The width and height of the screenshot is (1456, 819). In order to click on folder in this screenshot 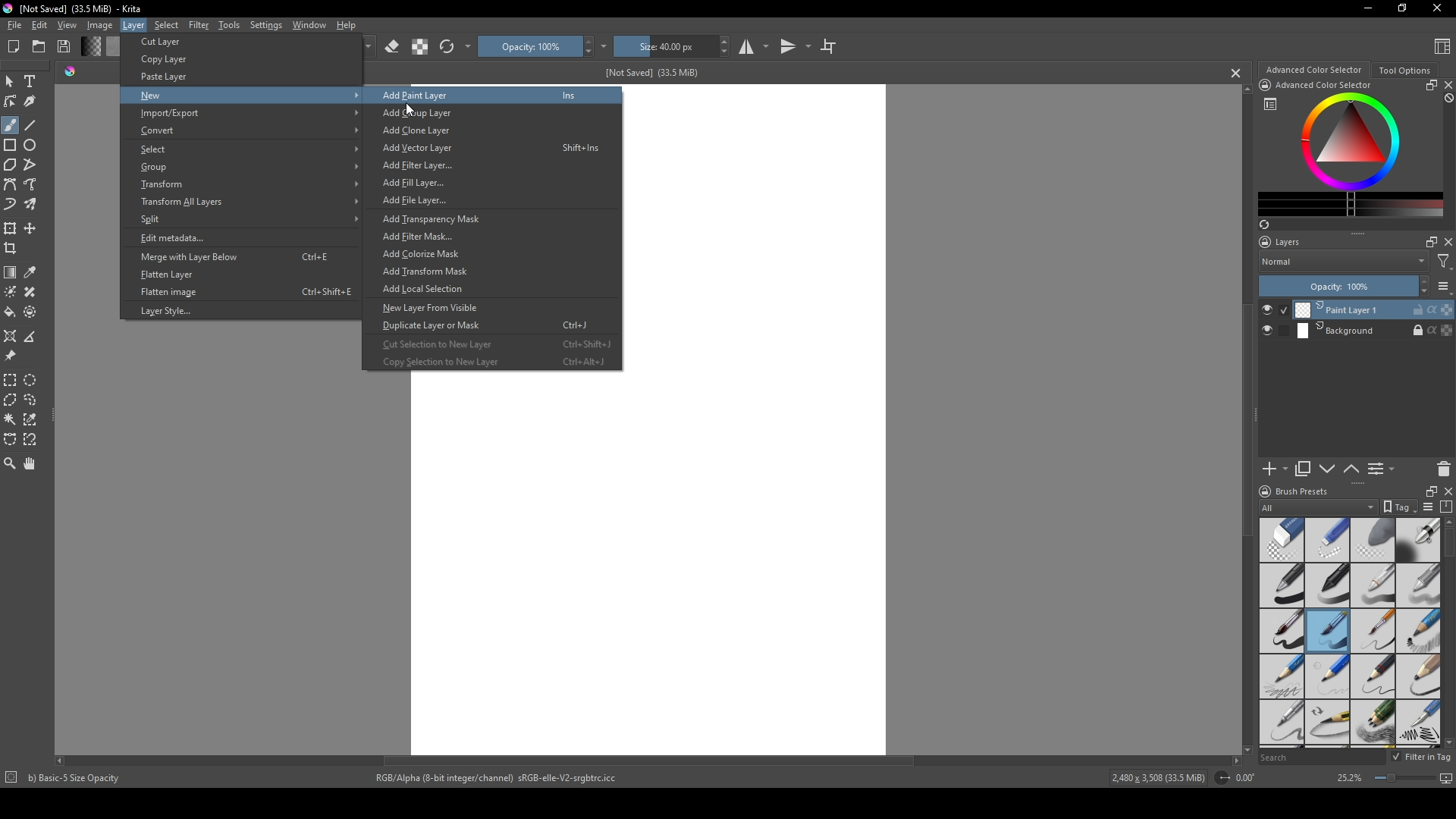, I will do `click(39, 47)`.